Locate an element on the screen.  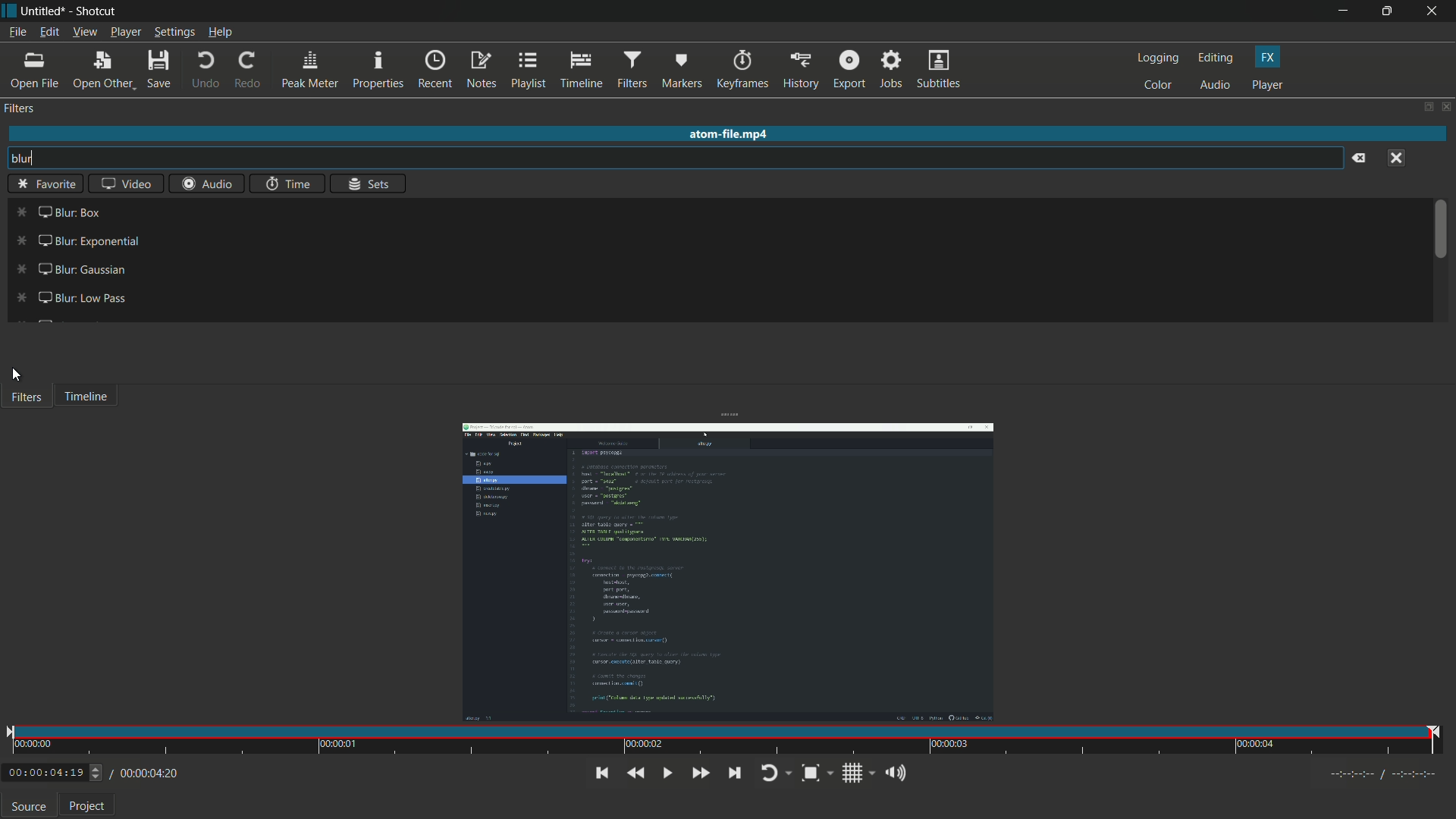
settings menu is located at coordinates (175, 33).